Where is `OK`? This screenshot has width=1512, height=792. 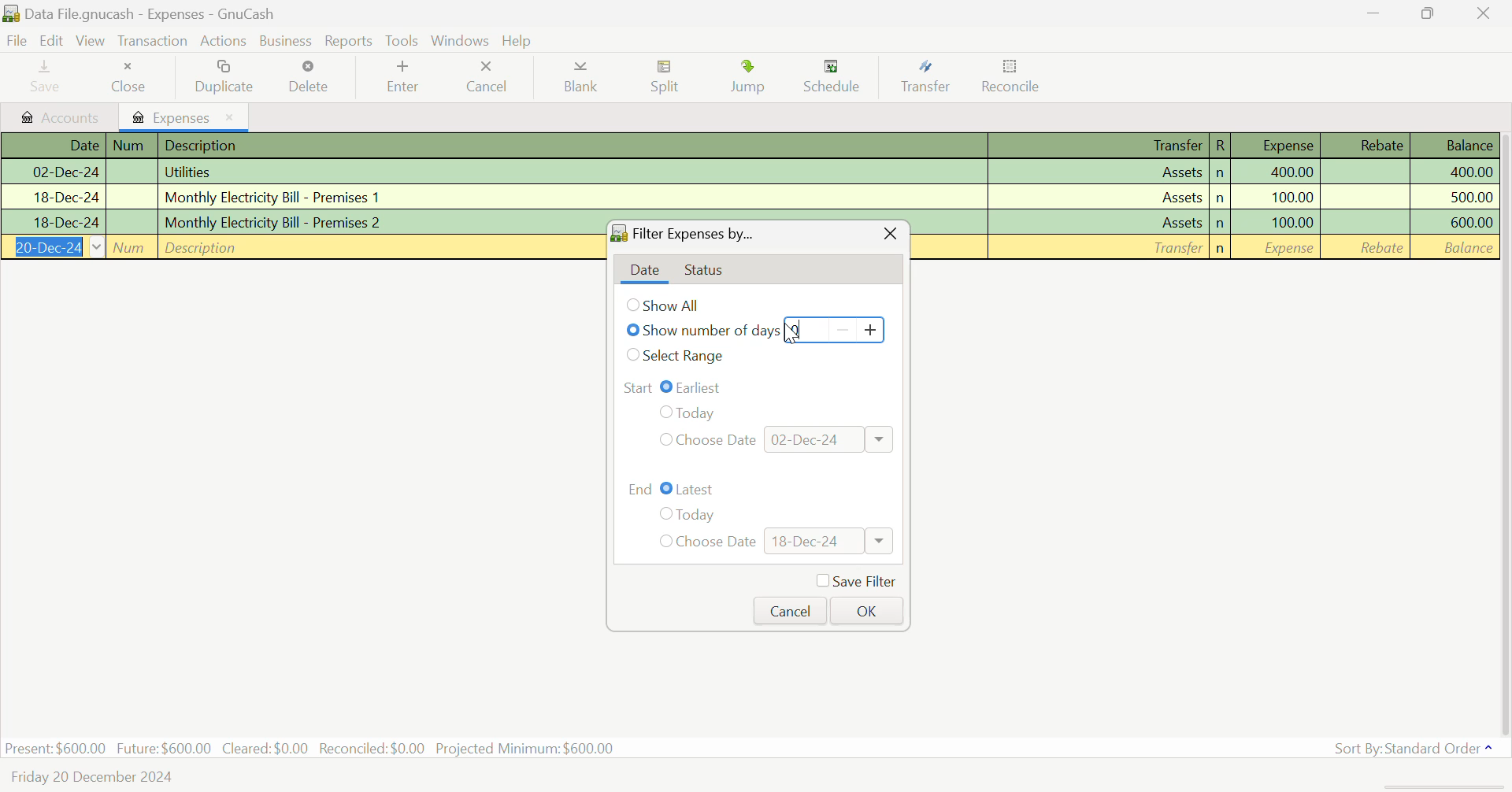
OK is located at coordinates (866, 611).